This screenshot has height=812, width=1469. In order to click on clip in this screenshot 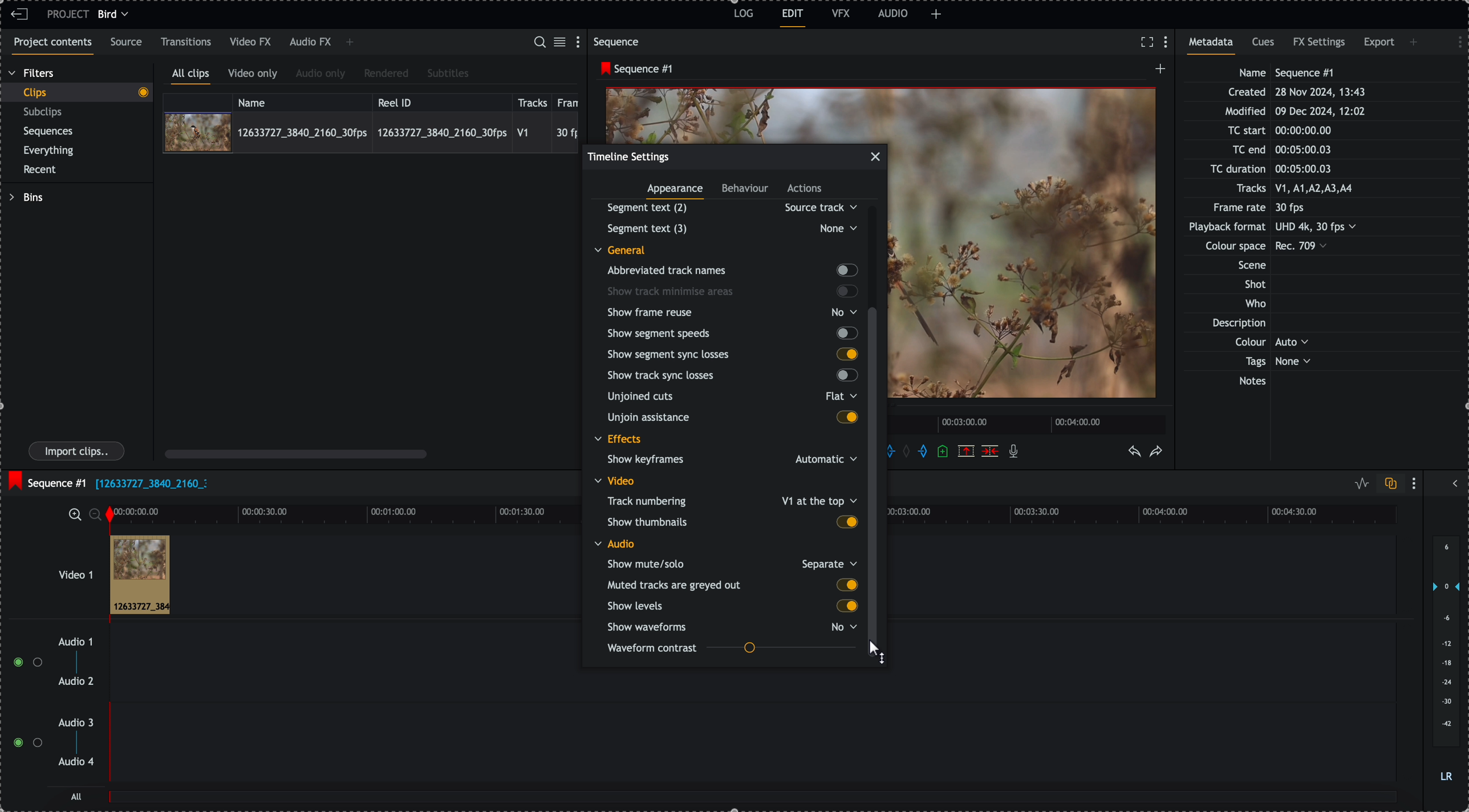, I will do `click(140, 575)`.